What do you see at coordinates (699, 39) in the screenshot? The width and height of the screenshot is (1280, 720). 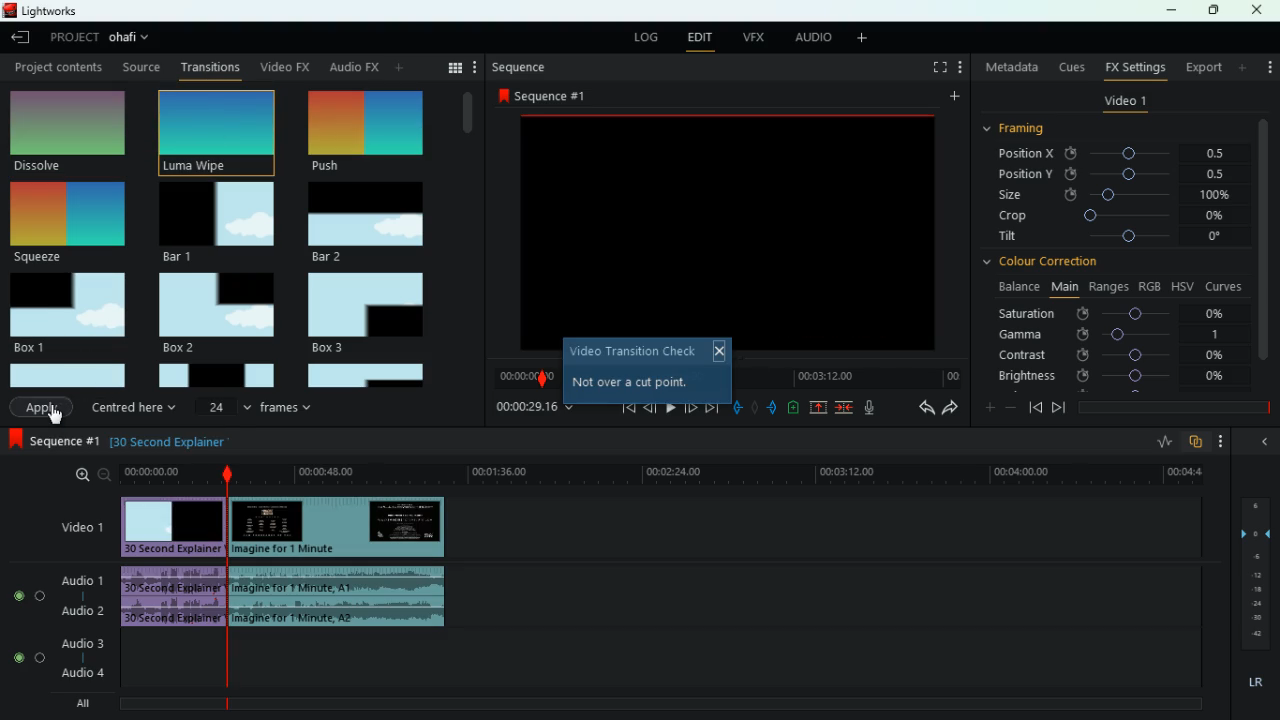 I see `edit` at bounding box center [699, 39].